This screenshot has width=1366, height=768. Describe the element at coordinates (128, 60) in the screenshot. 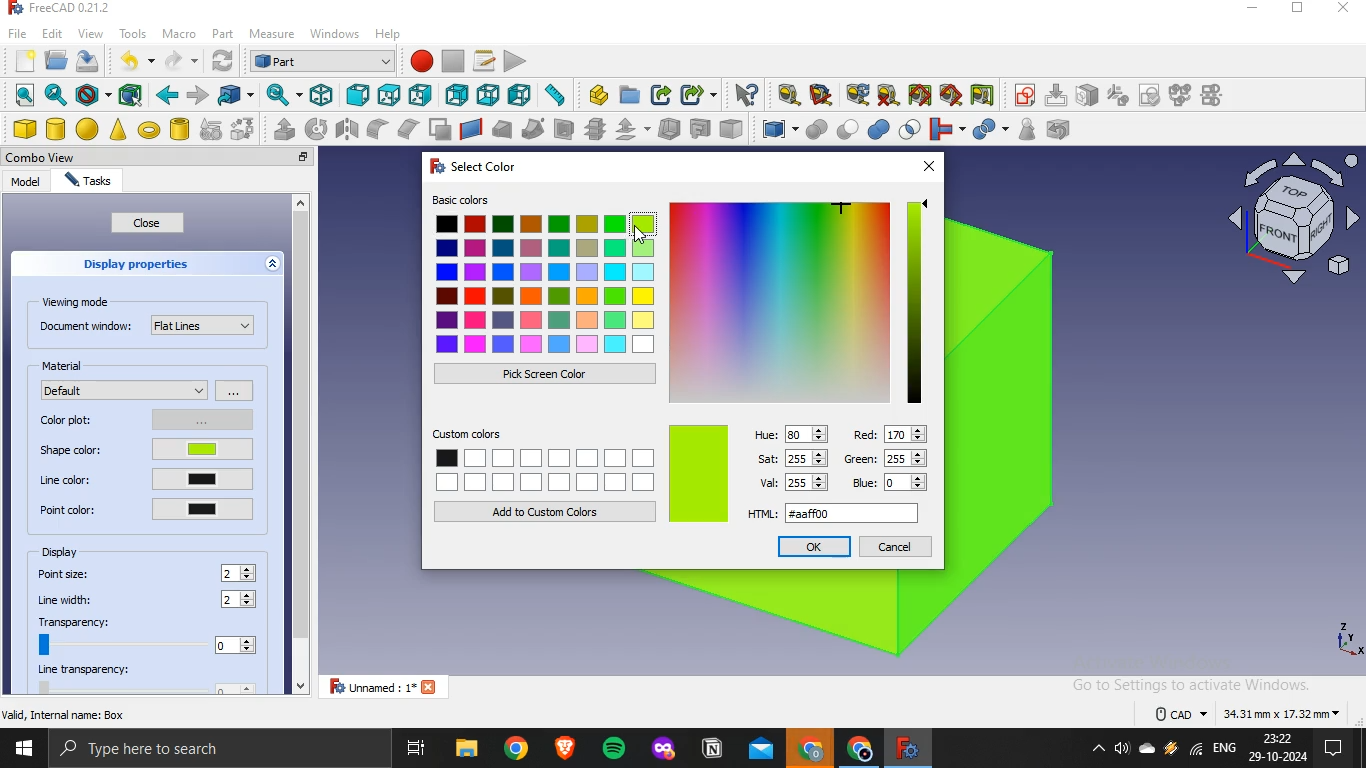

I see `undo` at that location.